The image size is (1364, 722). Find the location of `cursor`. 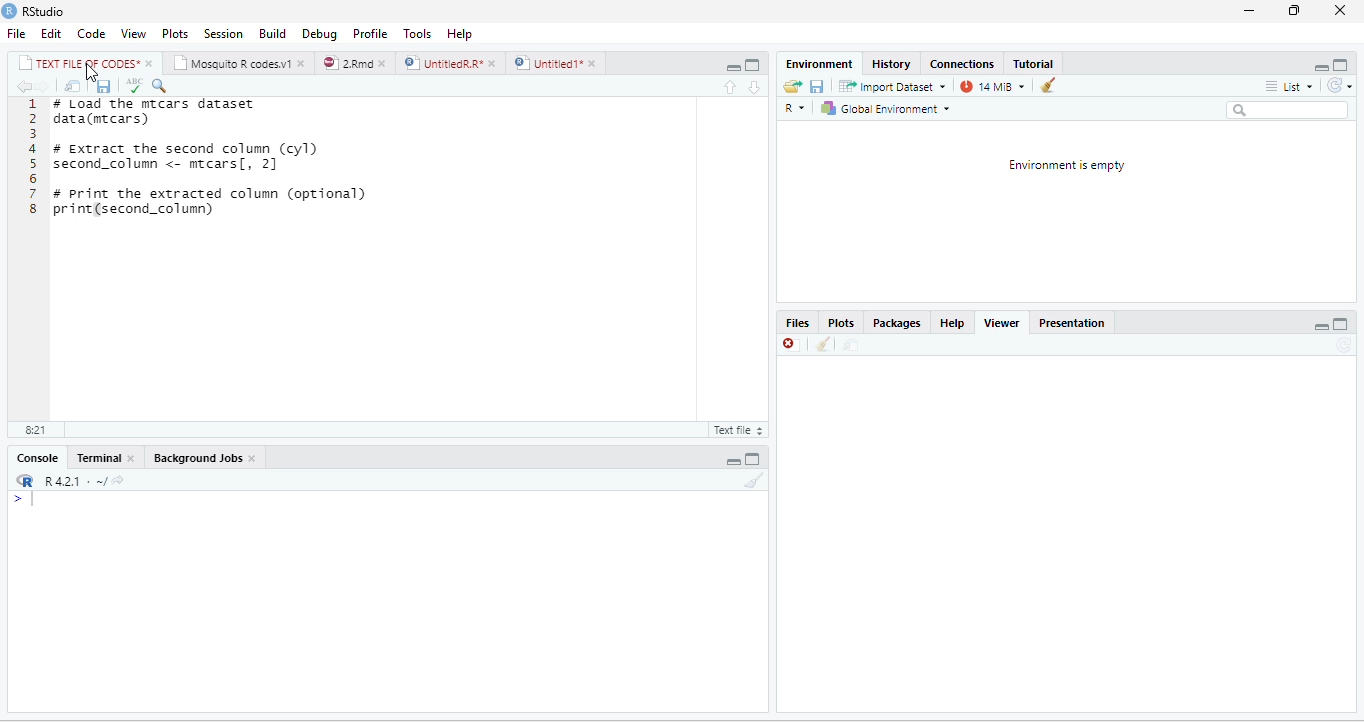

cursor is located at coordinates (92, 73).